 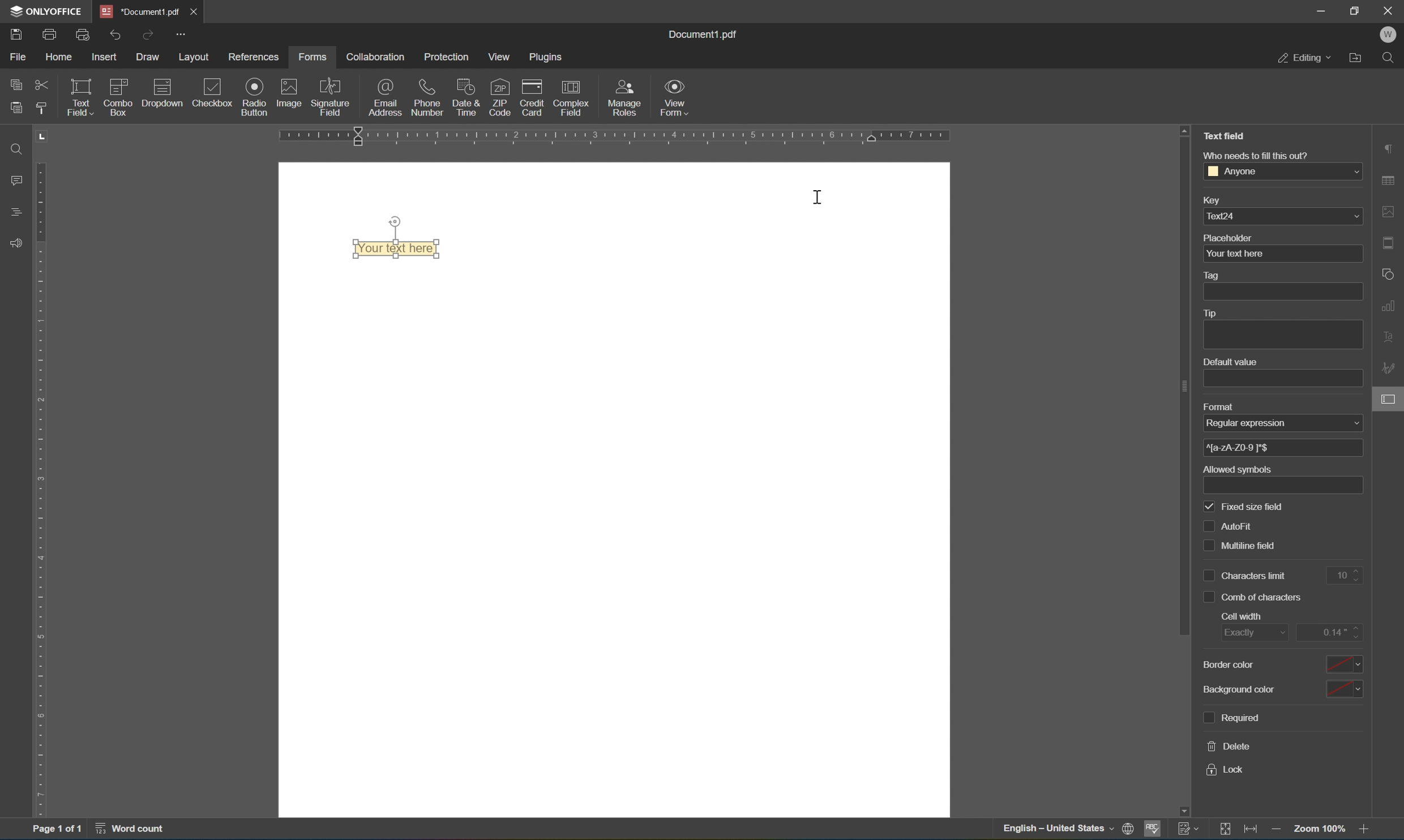 What do you see at coordinates (331, 97) in the screenshot?
I see `signature field` at bounding box center [331, 97].